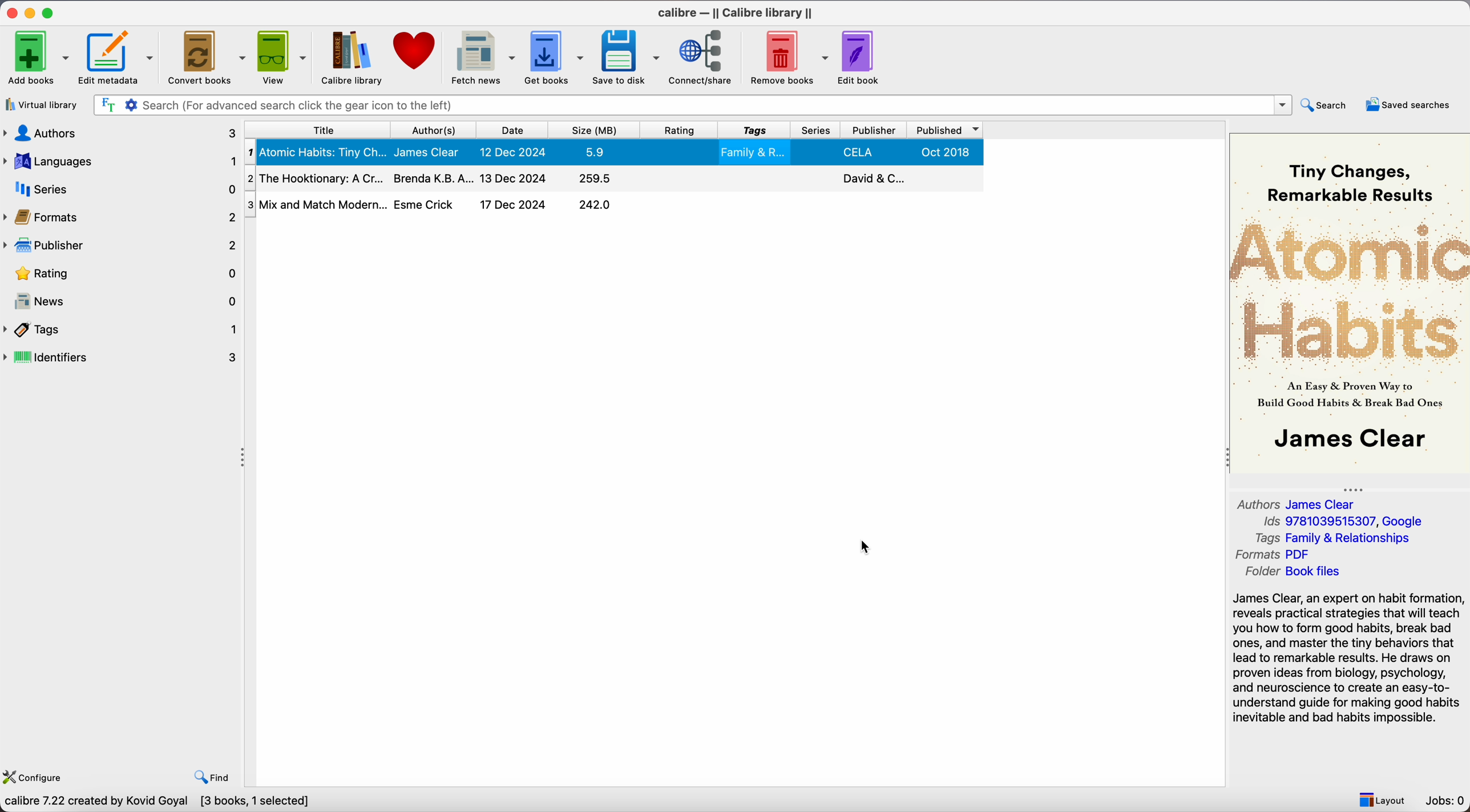 This screenshot has height=812, width=1470. What do you see at coordinates (205, 57) in the screenshot?
I see `convert books` at bounding box center [205, 57].